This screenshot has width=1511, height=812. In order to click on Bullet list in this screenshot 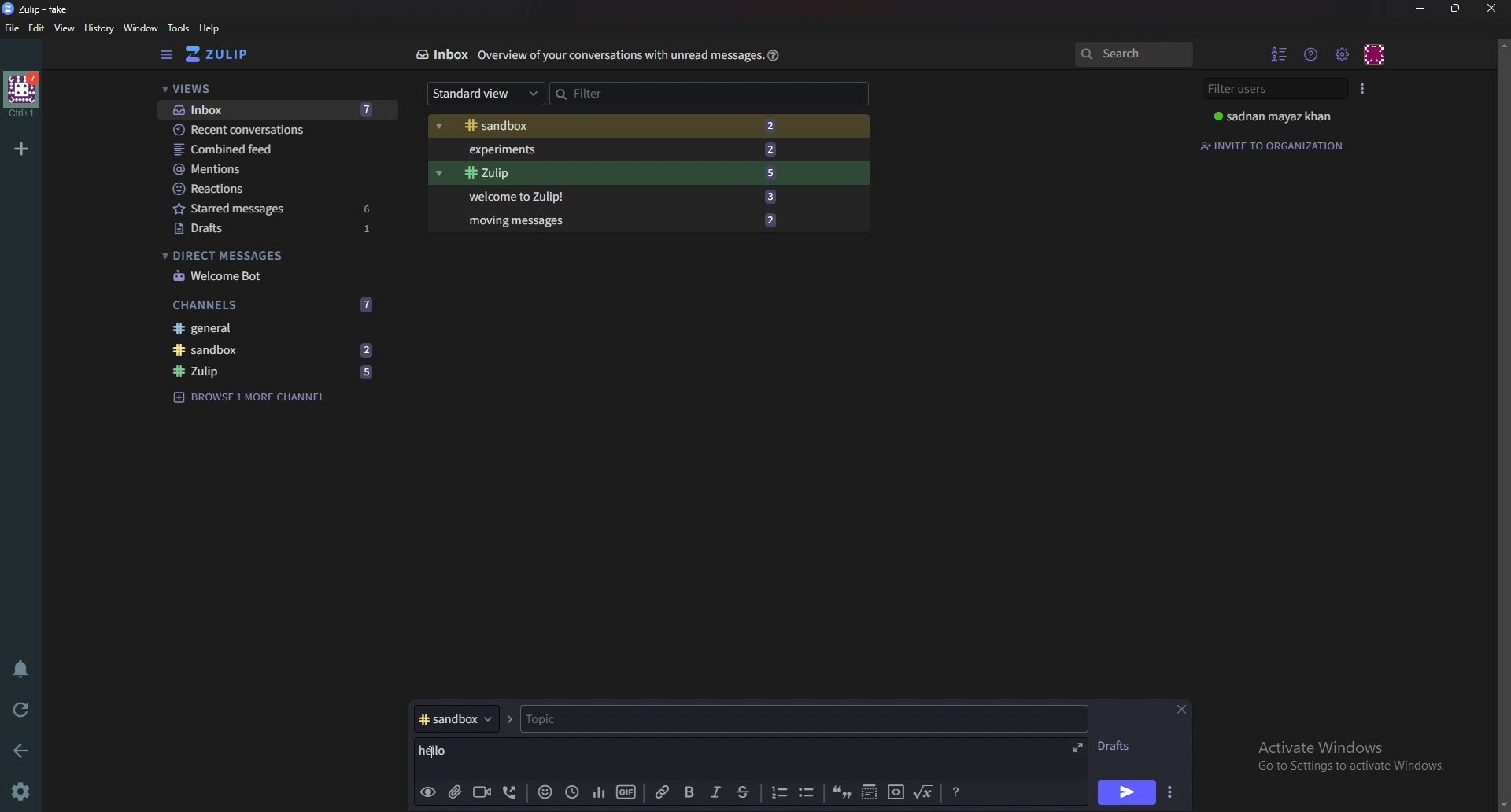, I will do `click(808, 793)`.